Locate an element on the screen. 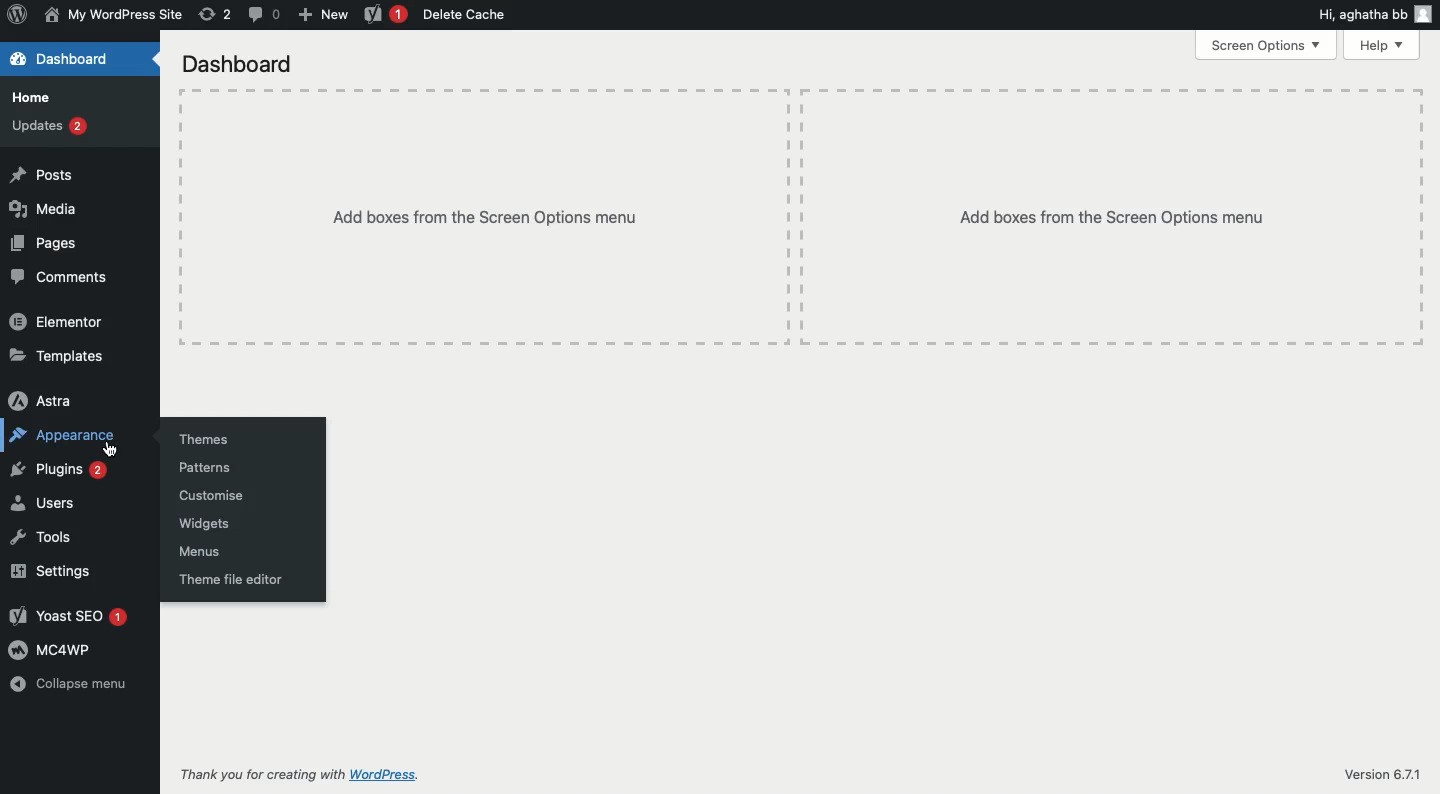 This screenshot has width=1440, height=794. Astra is located at coordinates (42, 400).